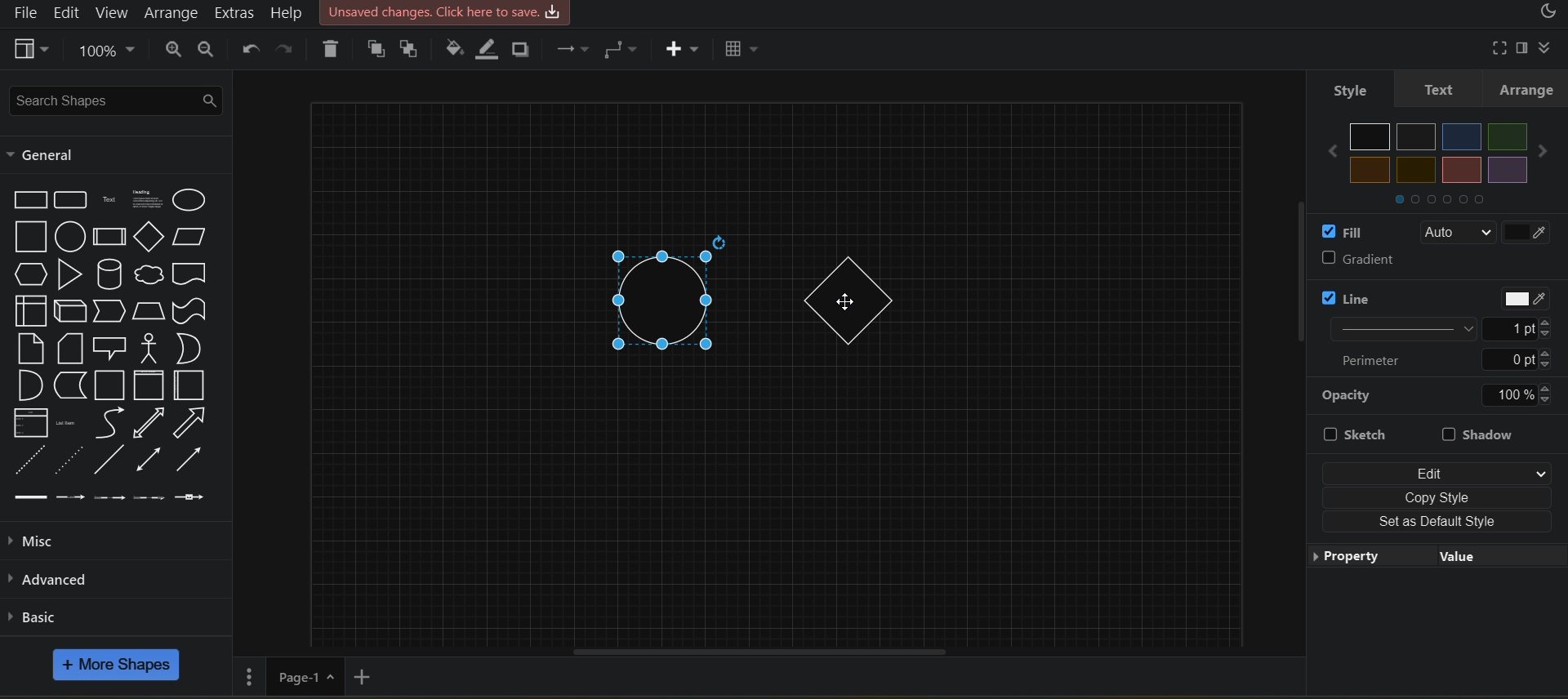 This screenshot has height=699, width=1568. I want to click on Container, so click(109, 385).